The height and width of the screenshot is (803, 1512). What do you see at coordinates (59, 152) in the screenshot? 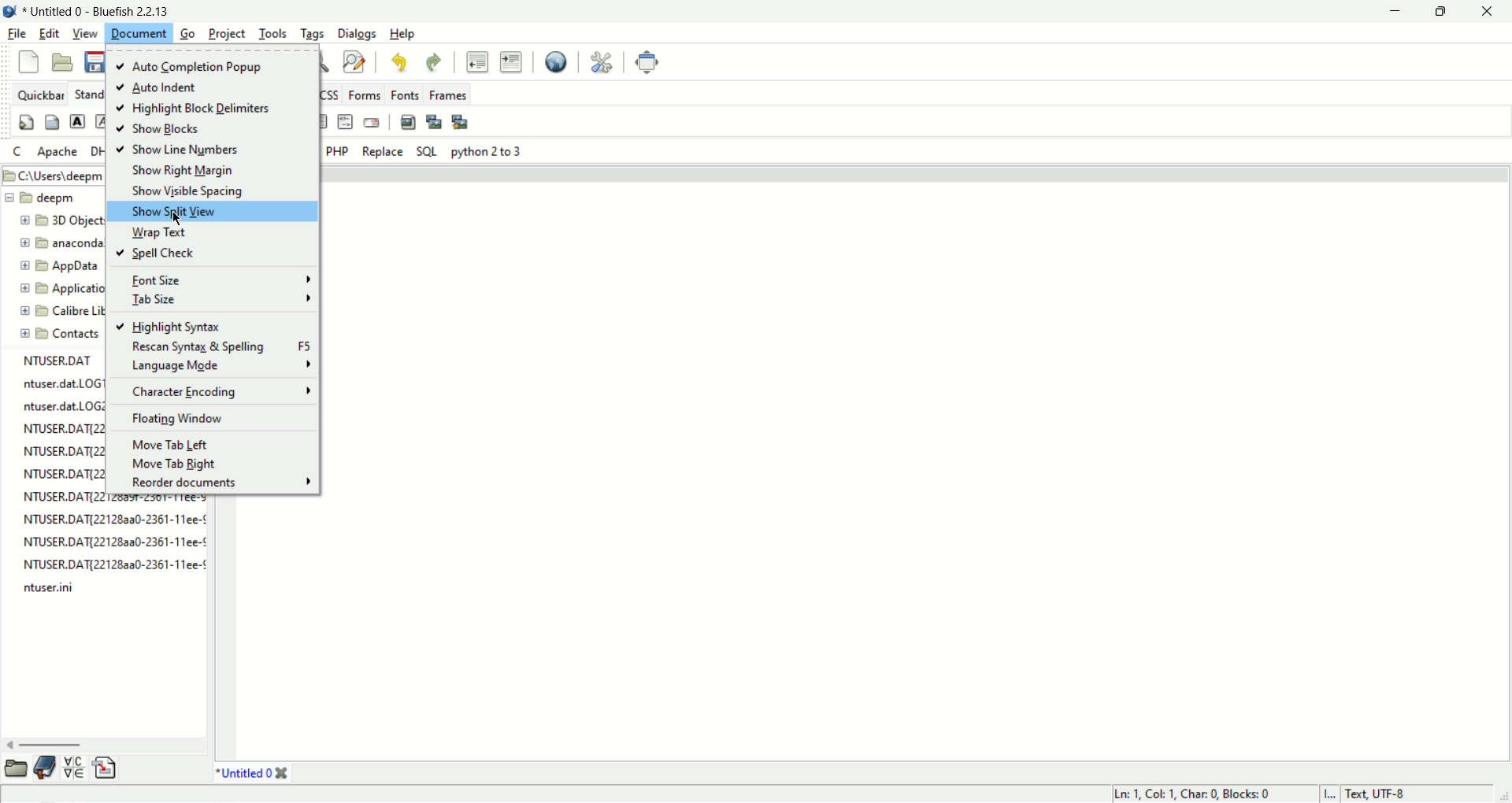
I see `Apache` at bounding box center [59, 152].